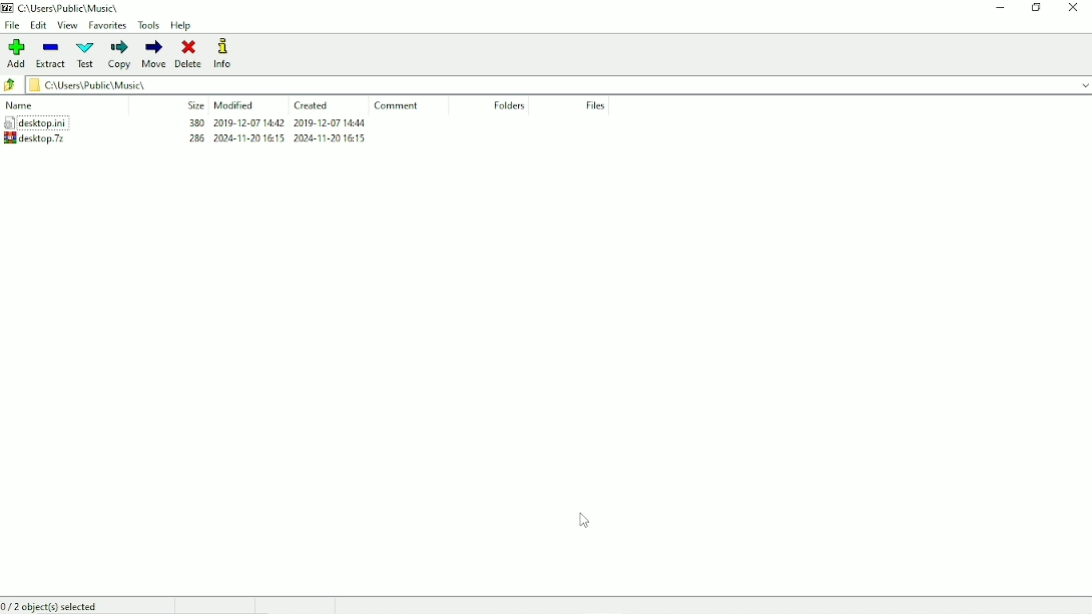 This screenshot has height=614, width=1092. What do you see at coordinates (584, 521) in the screenshot?
I see `Cursor` at bounding box center [584, 521].